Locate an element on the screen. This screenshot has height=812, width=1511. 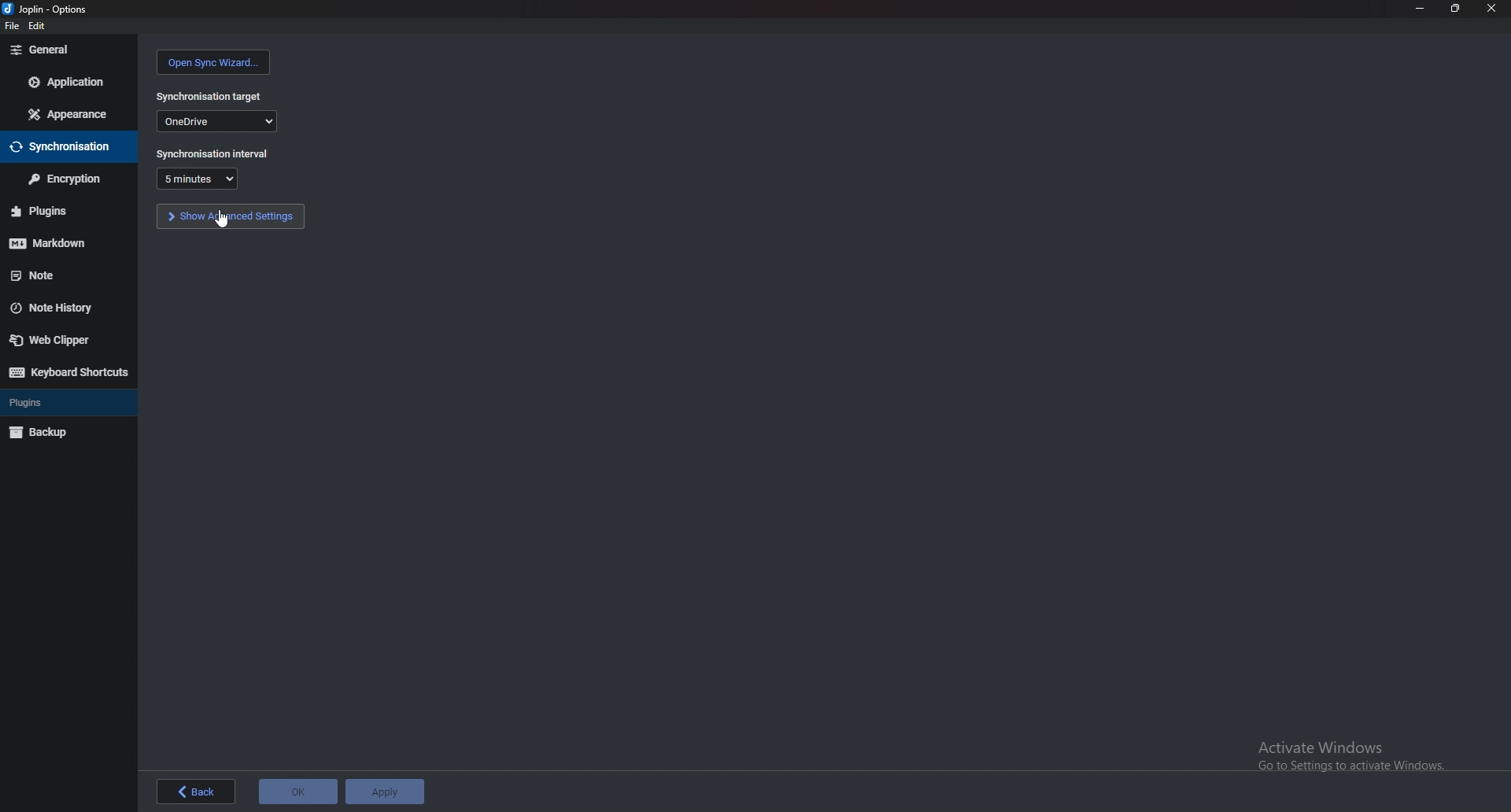
open sync wizard is located at coordinates (216, 62).